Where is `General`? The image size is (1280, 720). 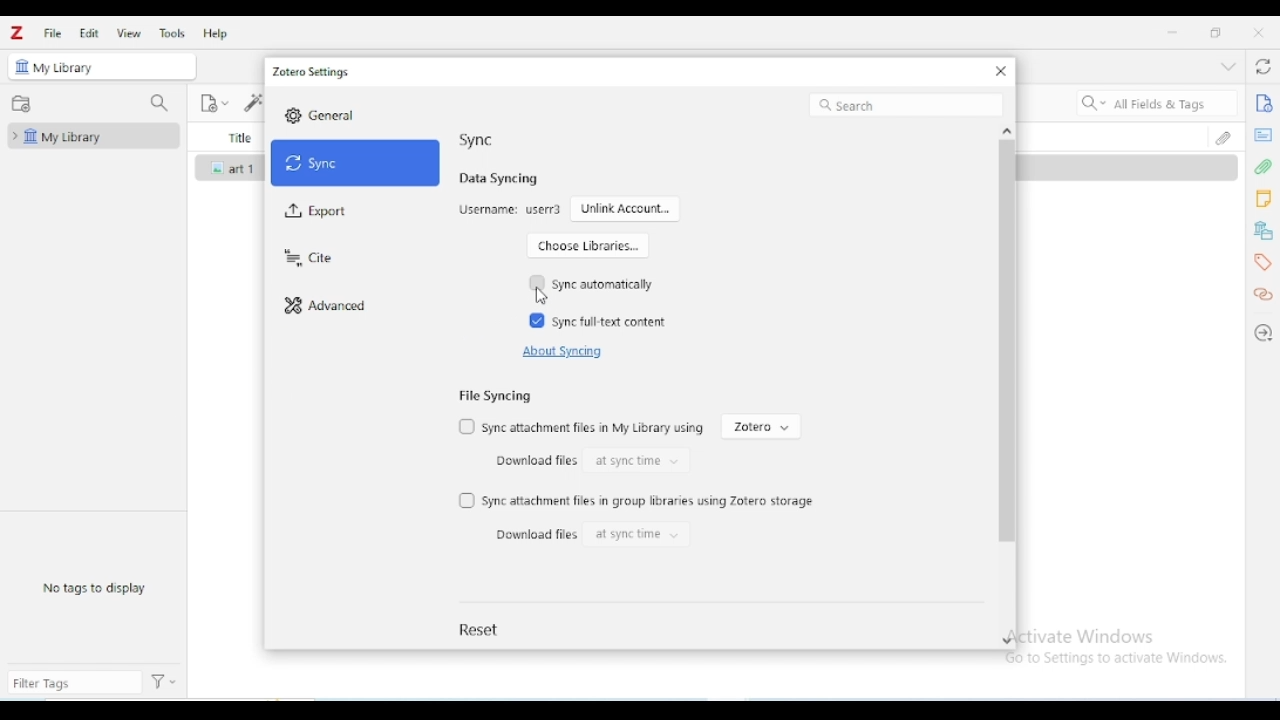
General is located at coordinates (334, 115).